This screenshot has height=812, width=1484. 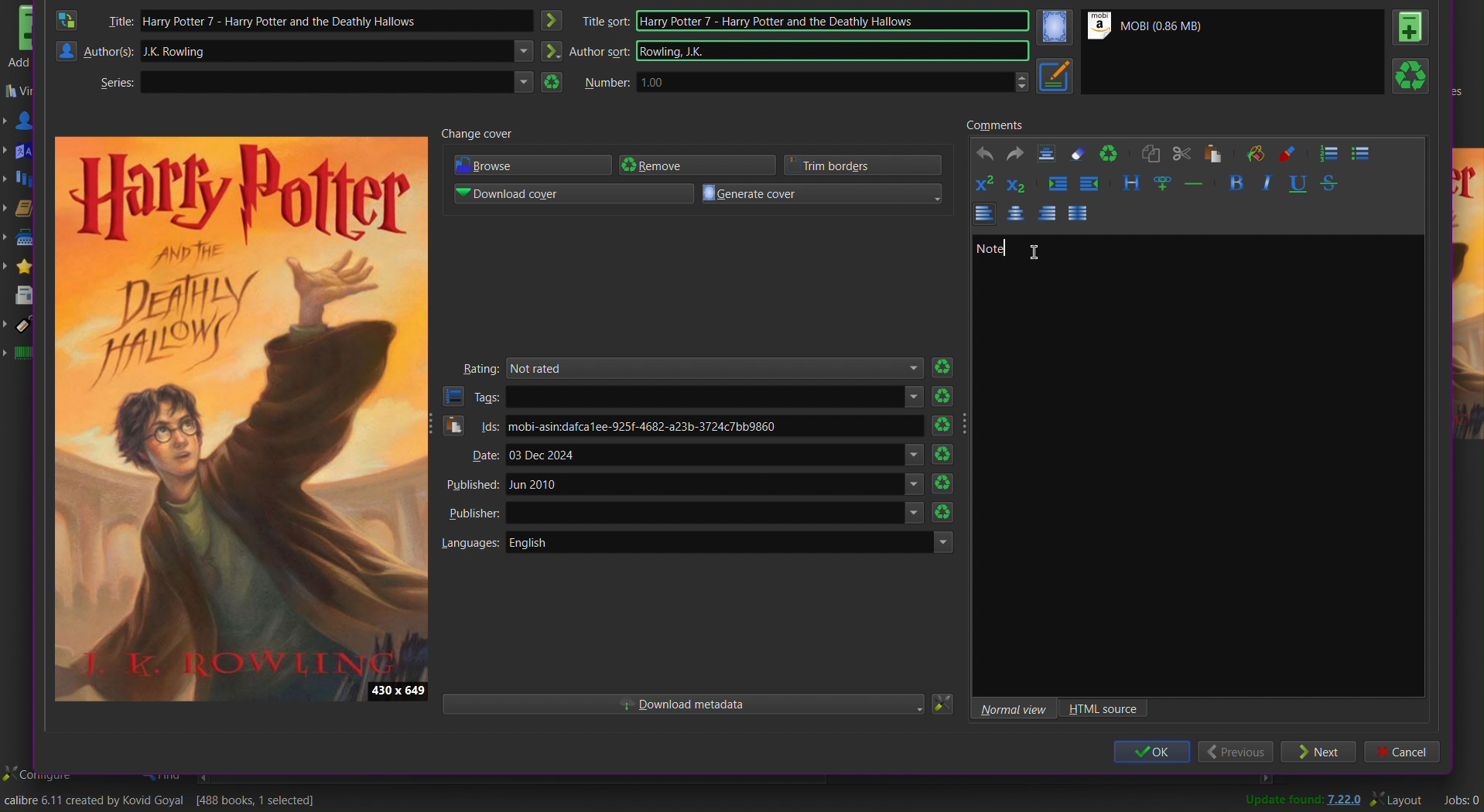 What do you see at coordinates (28, 121) in the screenshot?
I see `Authors` at bounding box center [28, 121].